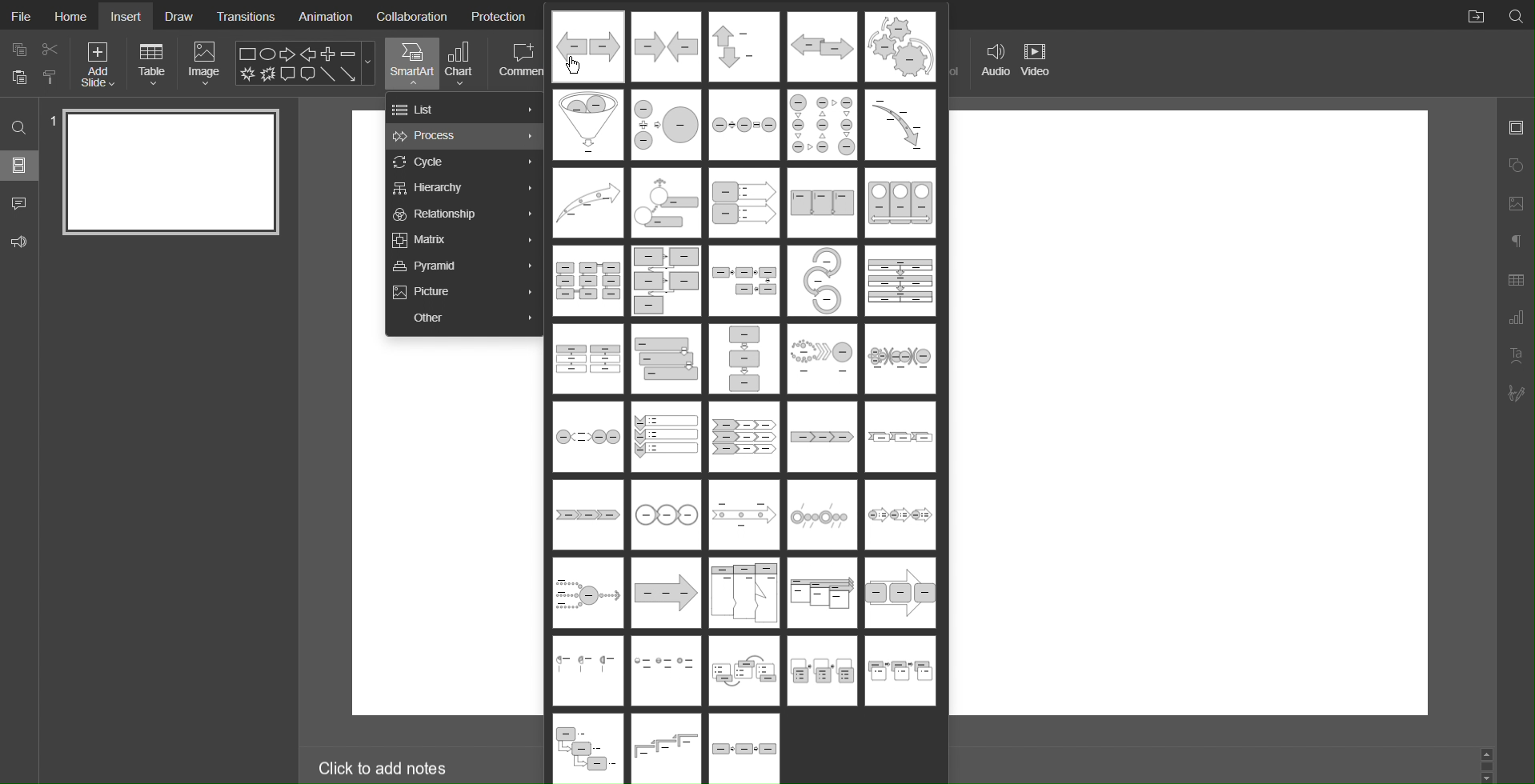  What do you see at coordinates (522, 64) in the screenshot?
I see `Comment ` at bounding box center [522, 64].